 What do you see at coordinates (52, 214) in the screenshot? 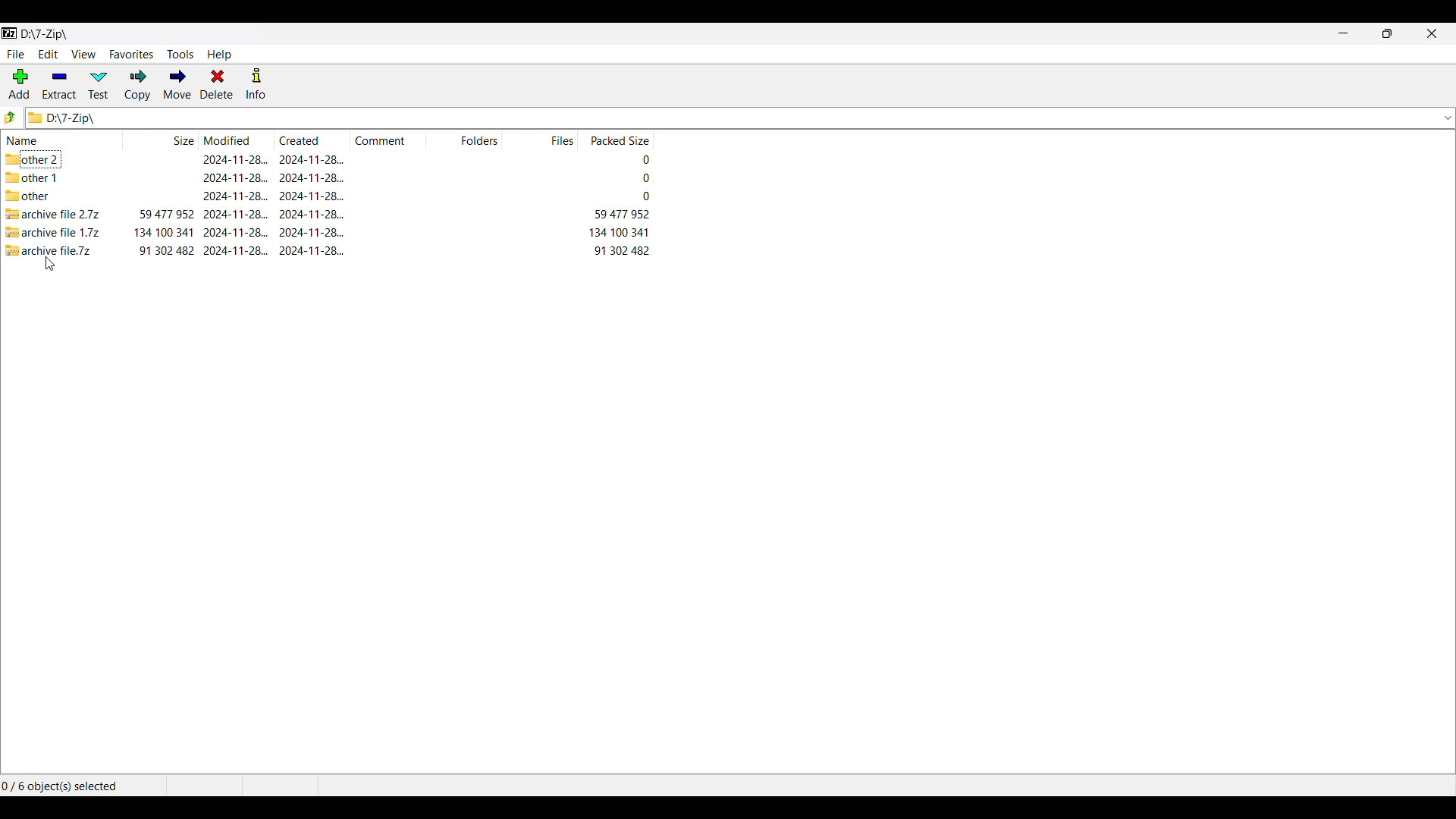
I see `zip folder` at bounding box center [52, 214].